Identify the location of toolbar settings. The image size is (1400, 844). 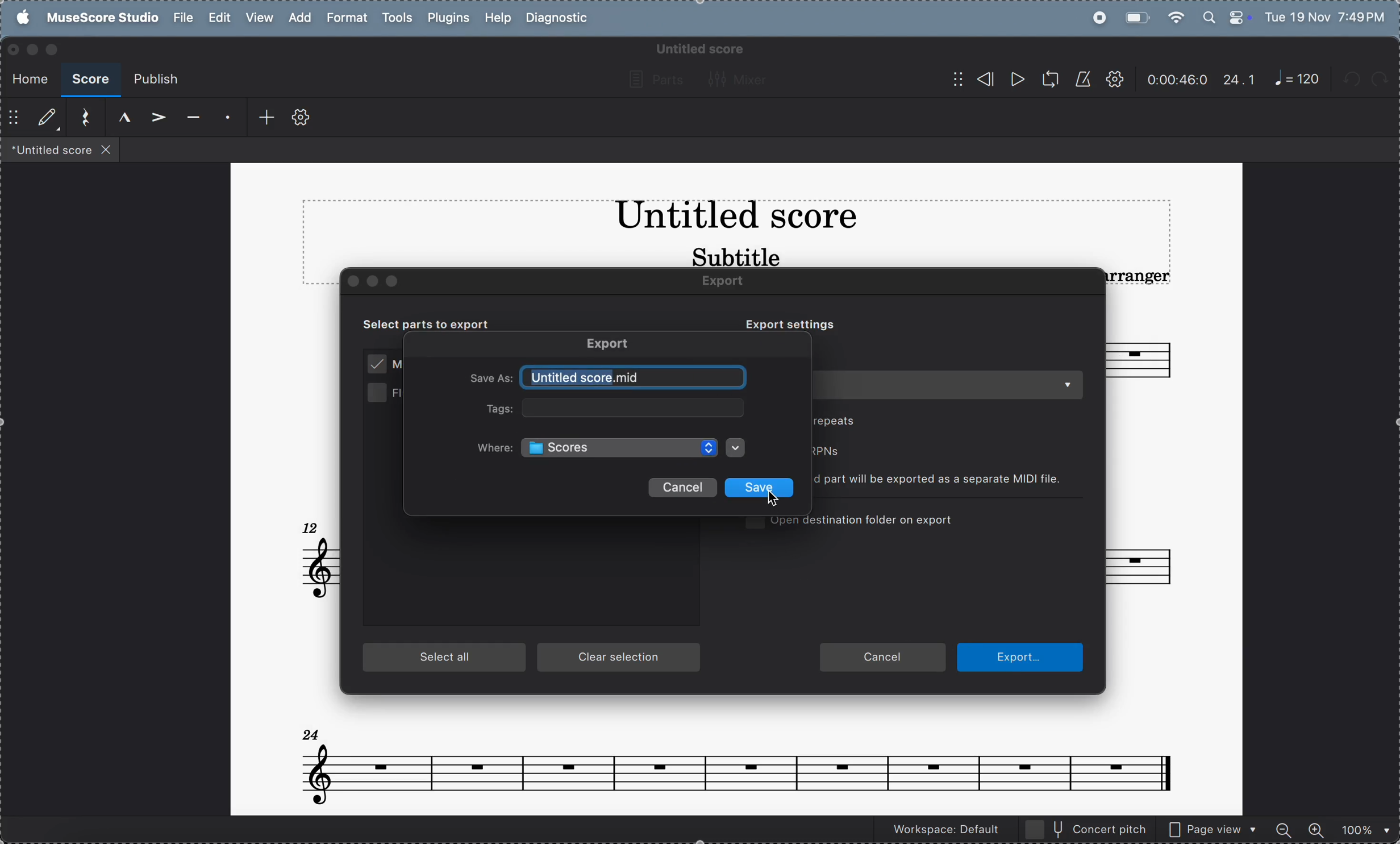
(301, 118).